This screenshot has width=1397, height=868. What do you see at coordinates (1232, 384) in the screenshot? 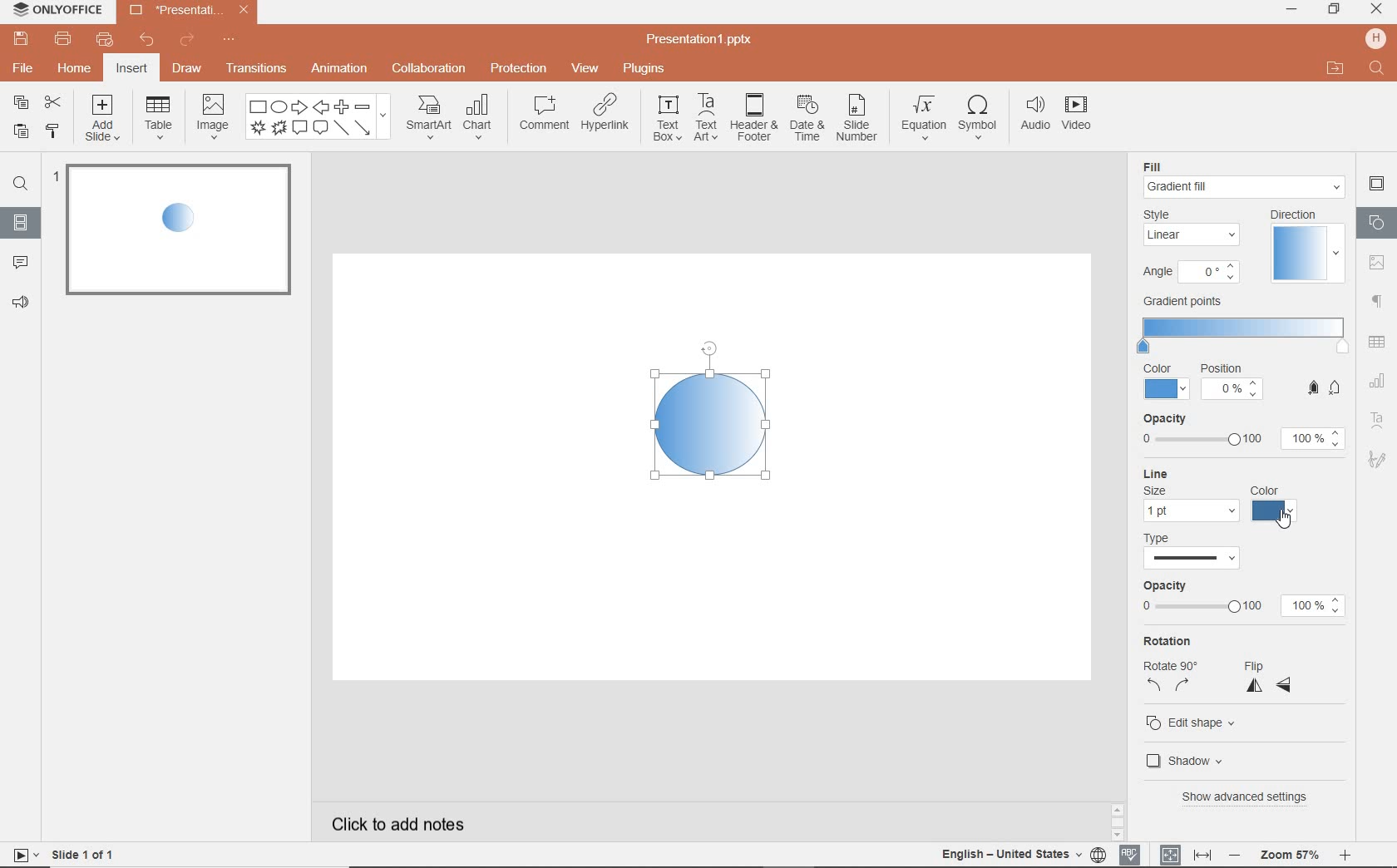
I see `position` at bounding box center [1232, 384].